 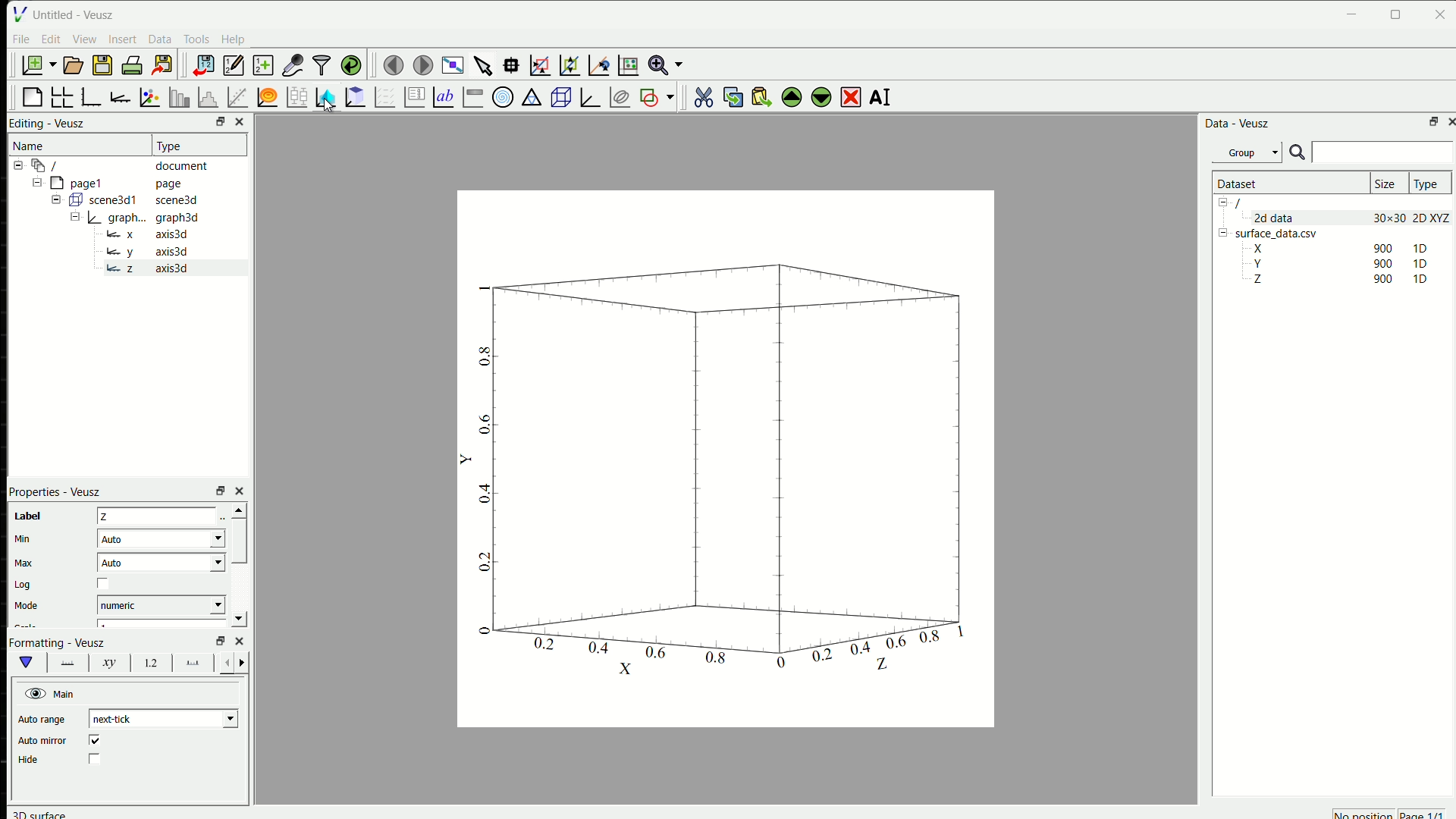 What do you see at coordinates (475, 97) in the screenshot?
I see `image color bar` at bounding box center [475, 97].